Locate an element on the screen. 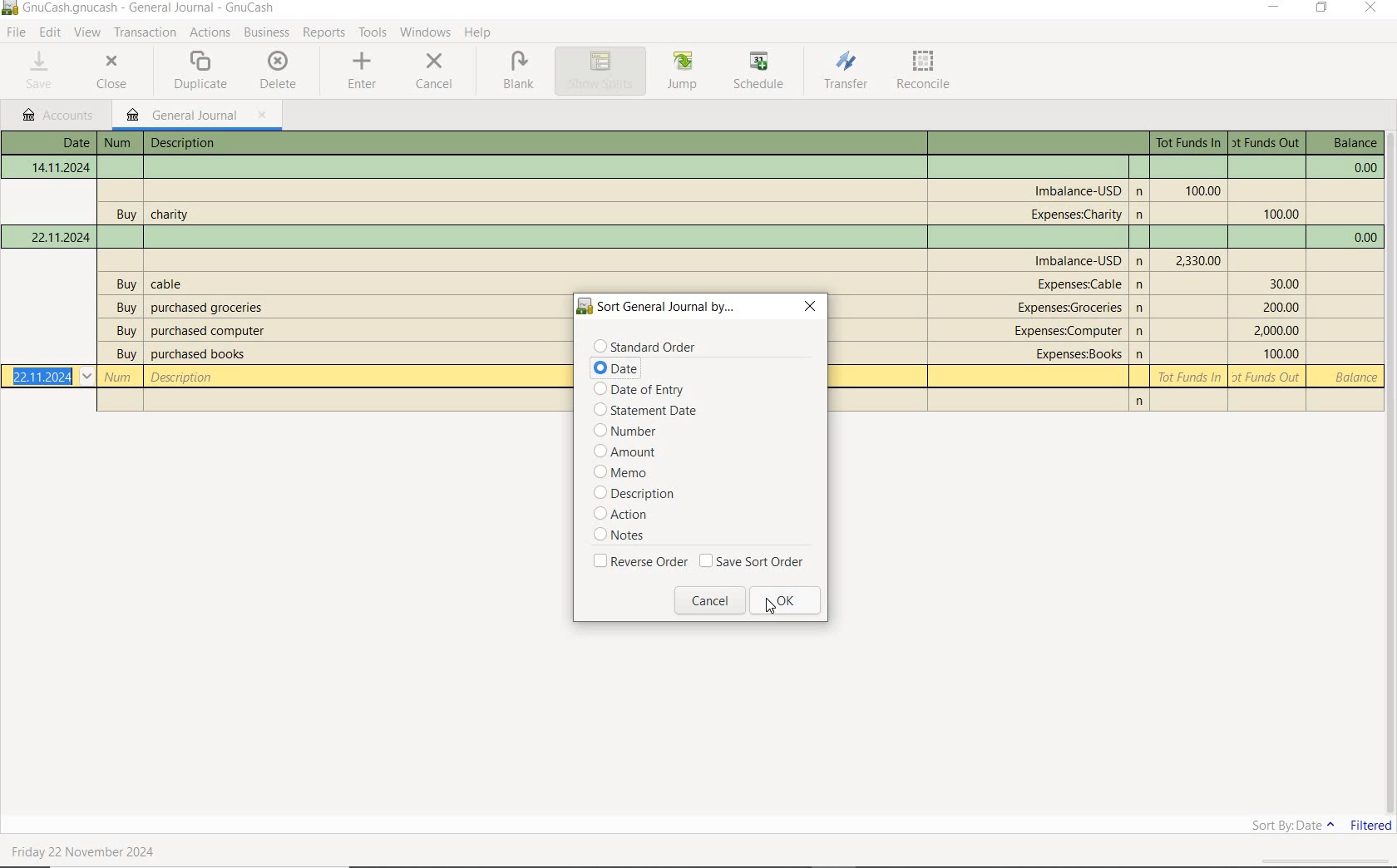 The height and width of the screenshot is (868, 1397). CLOSE is located at coordinates (113, 72).